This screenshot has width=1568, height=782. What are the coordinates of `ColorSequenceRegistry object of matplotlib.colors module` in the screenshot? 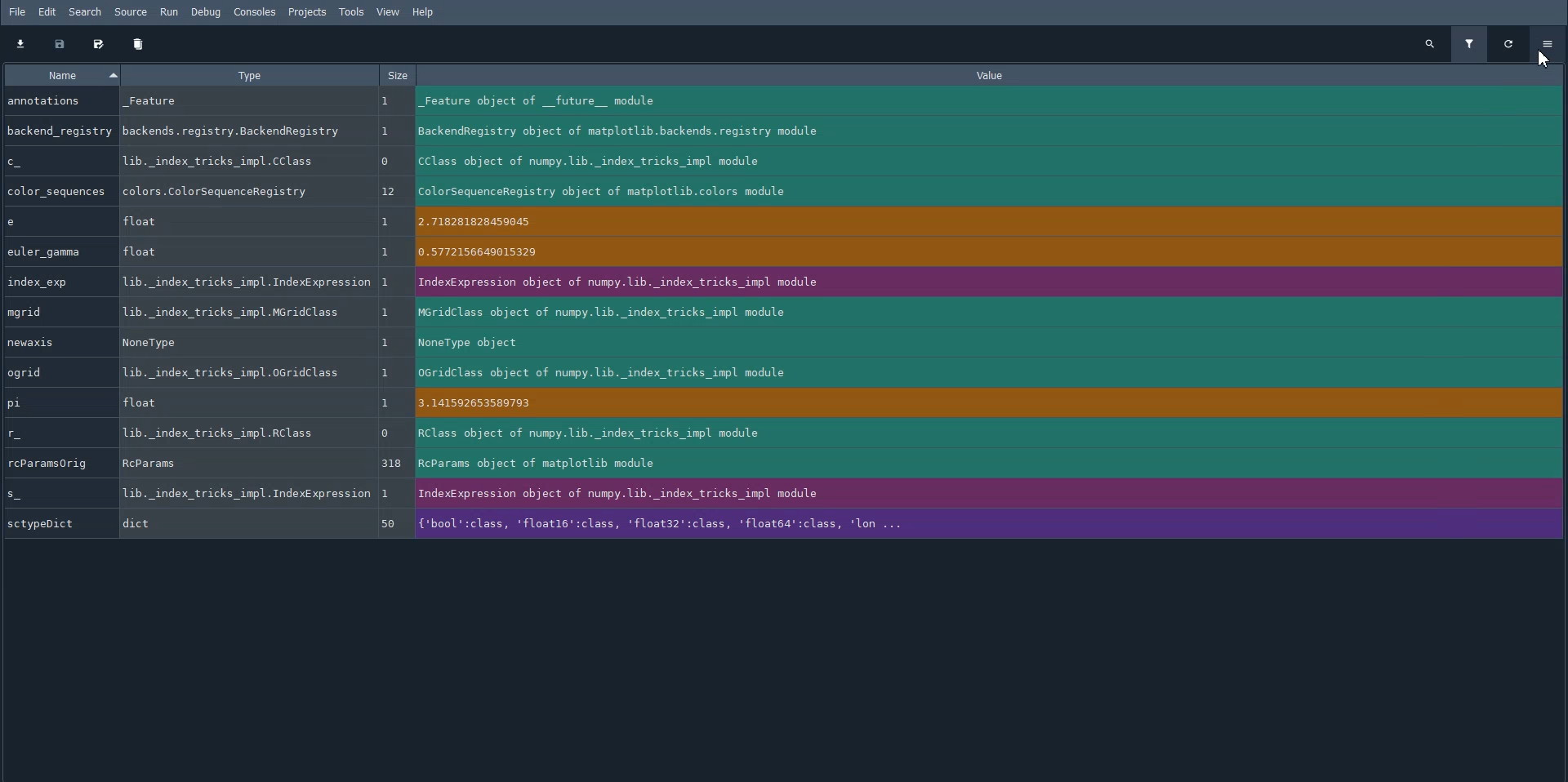 It's located at (987, 191).